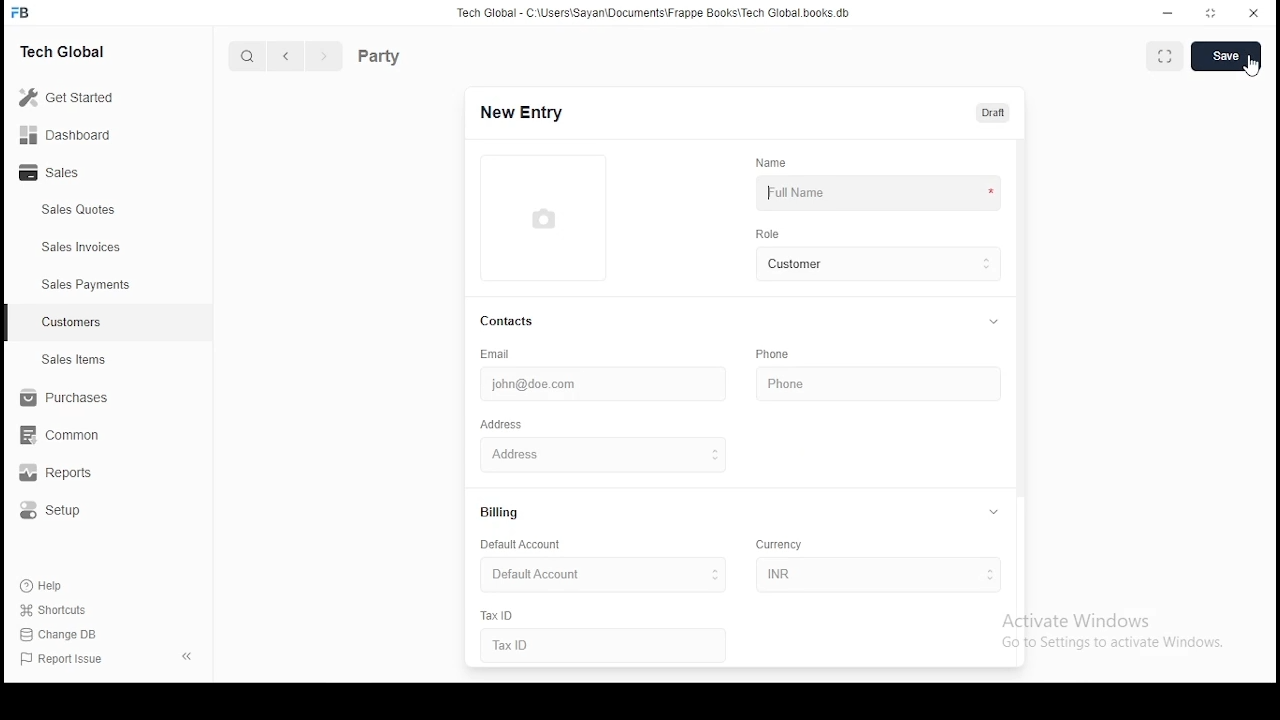 The width and height of the screenshot is (1280, 720). What do you see at coordinates (876, 191) in the screenshot?
I see `full name` at bounding box center [876, 191].